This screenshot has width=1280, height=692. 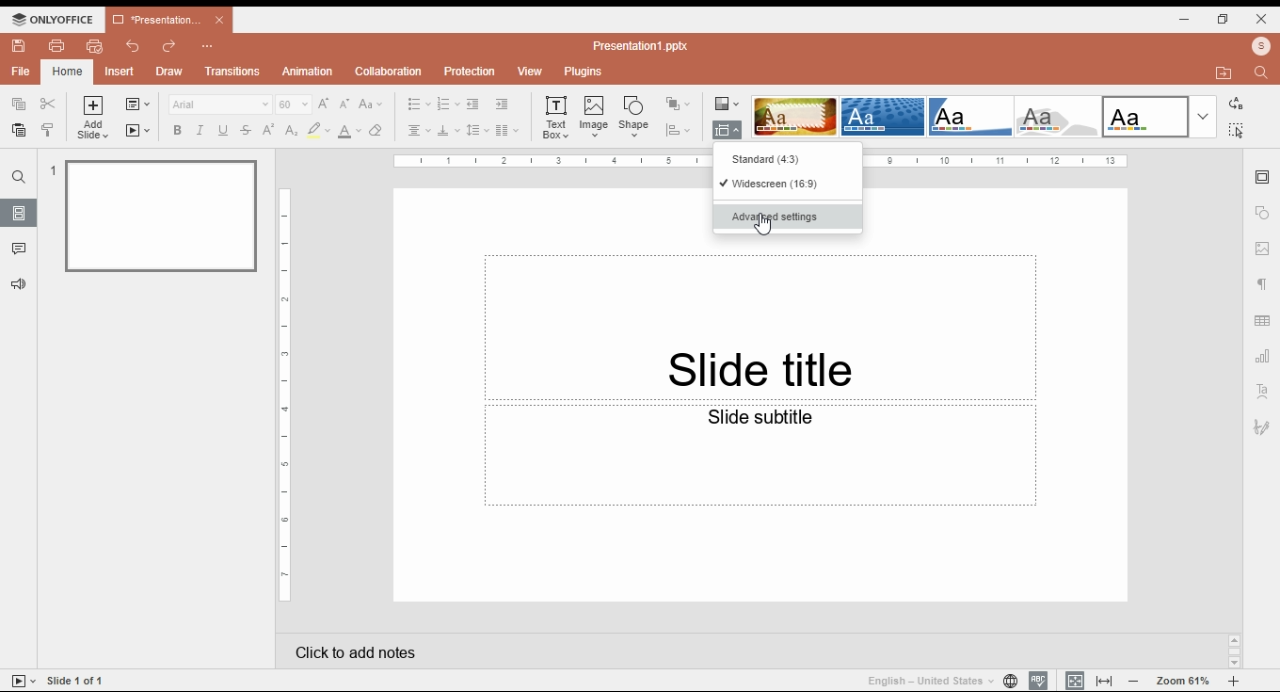 What do you see at coordinates (417, 132) in the screenshot?
I see `horizontal alignment` at bounding box center [417, 132].